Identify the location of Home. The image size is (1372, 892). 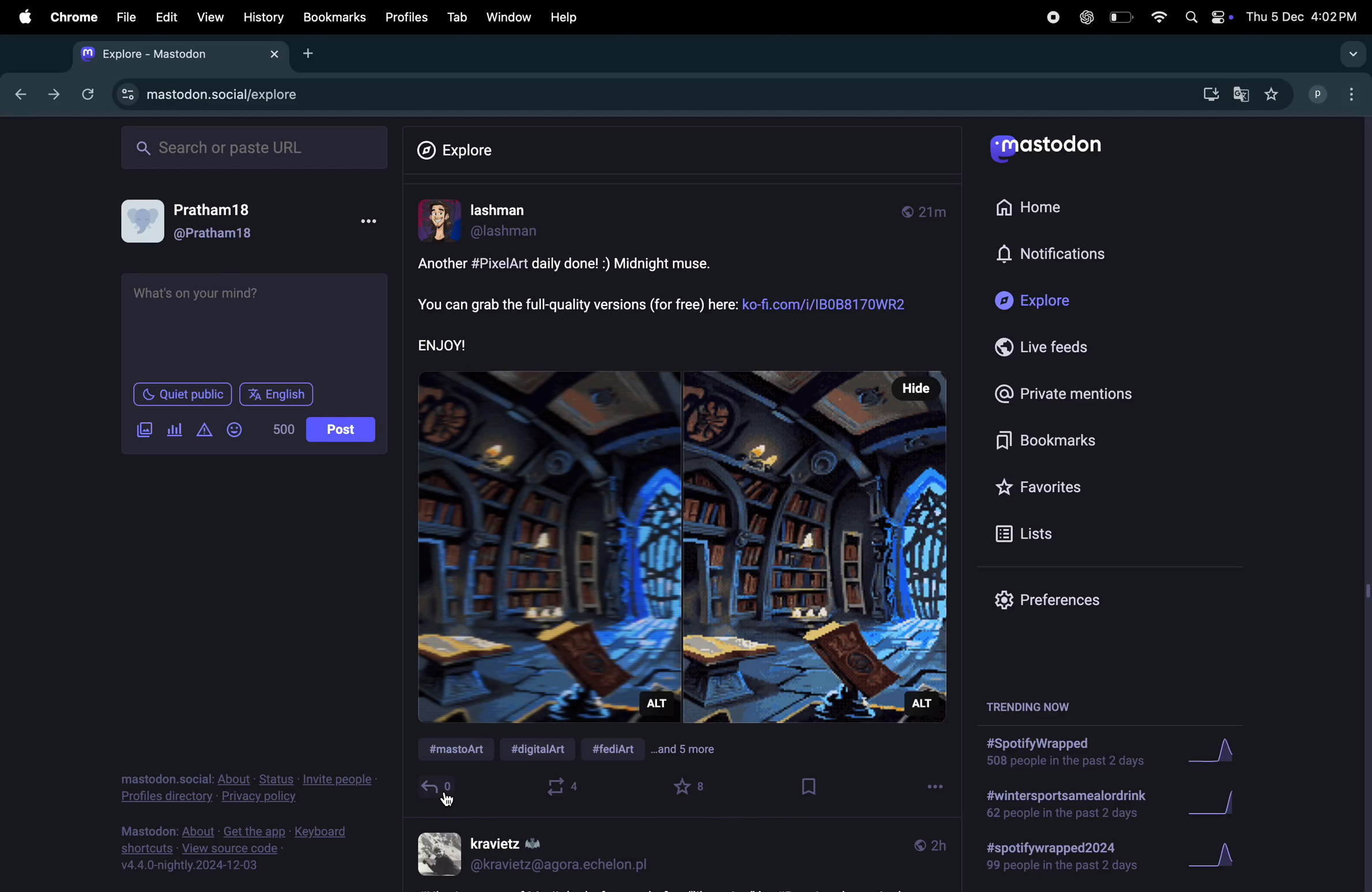
(1051, 211).